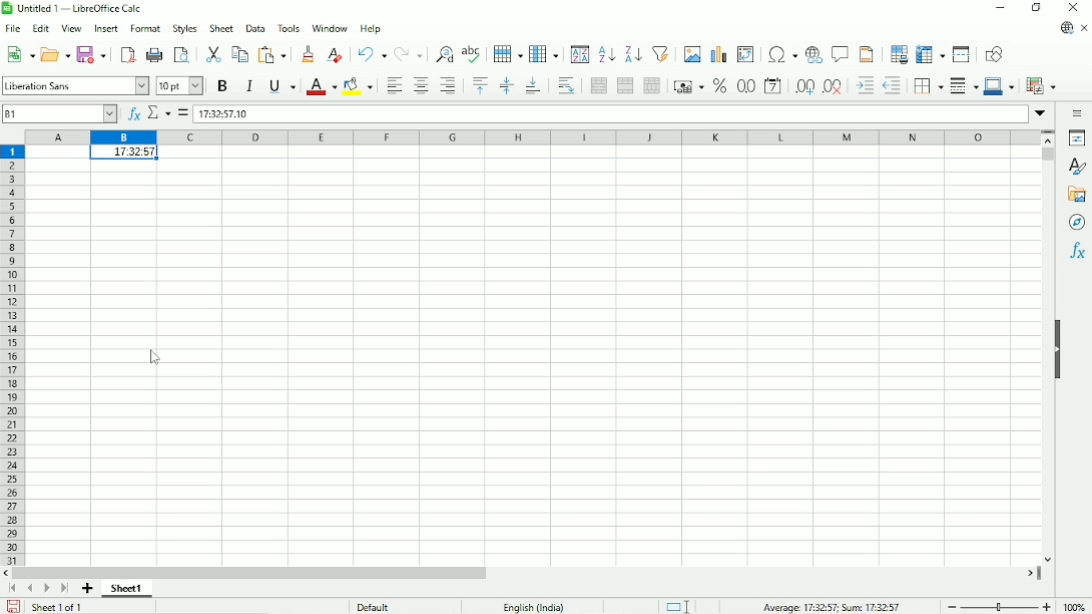 The image size is (1092, 614). I want to click on Cut, so click(214, 54).